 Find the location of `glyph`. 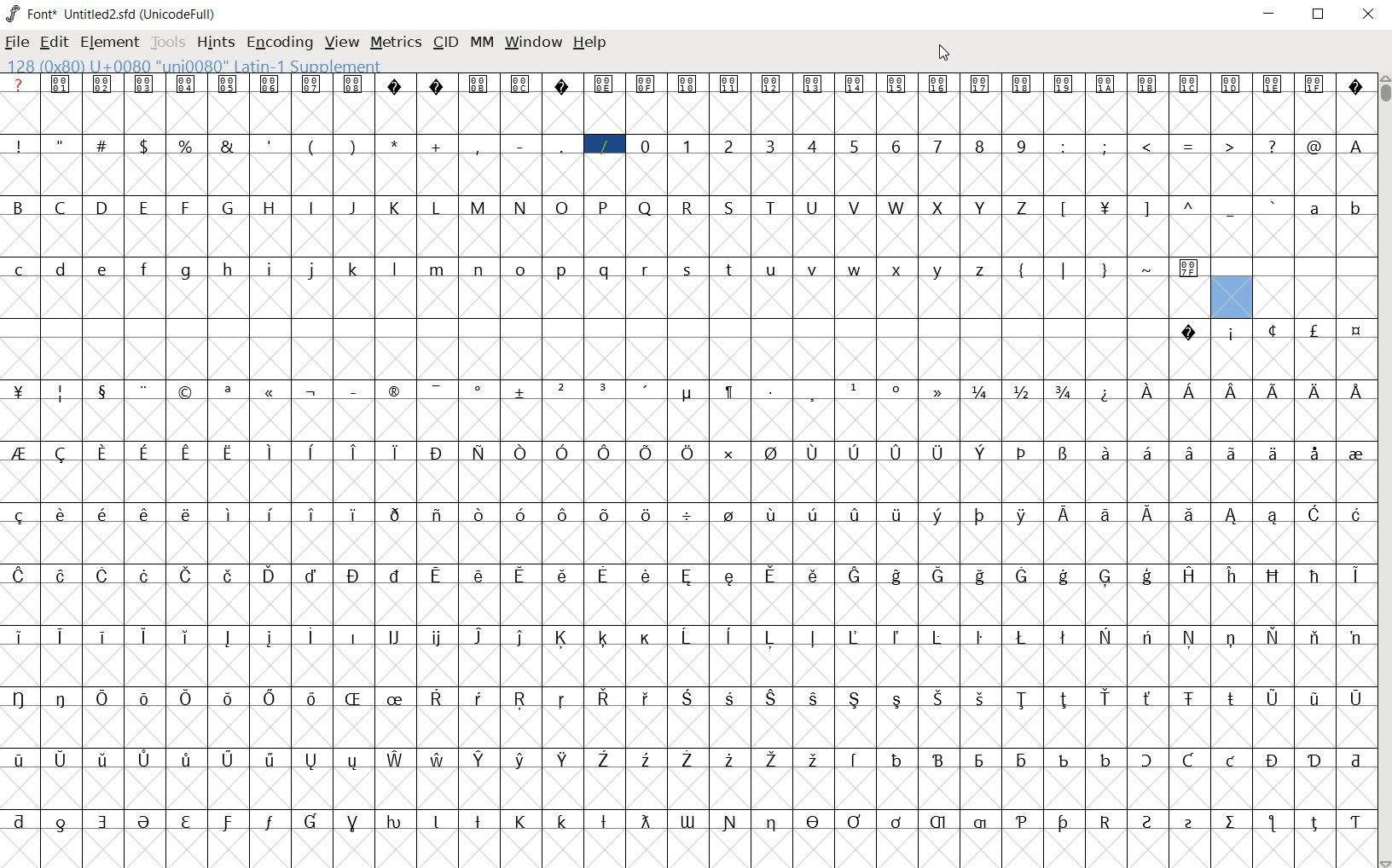

glyph is located at coordinates (979, 84).